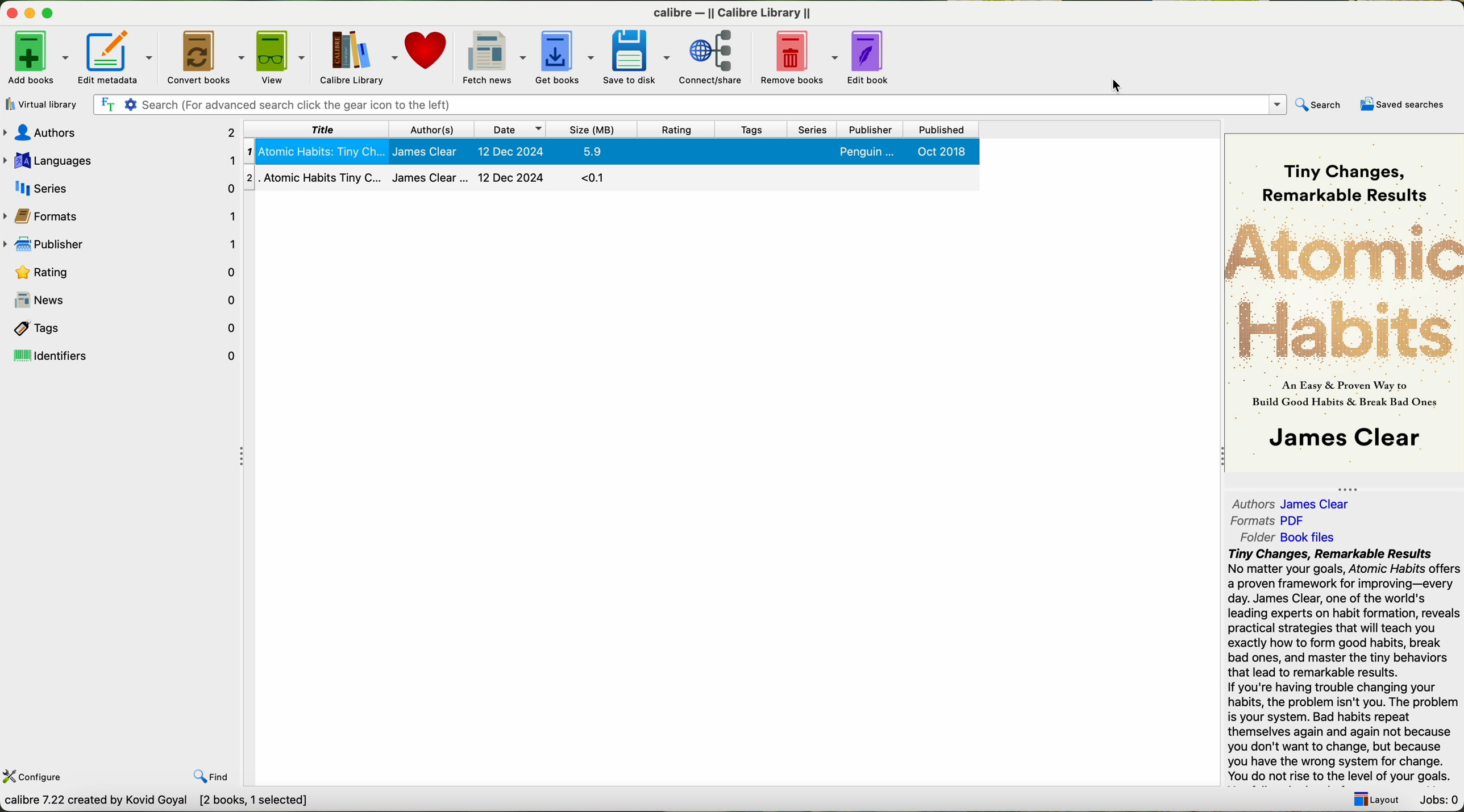 Image resolution: width=1464 pixels, height=812 pixels. I want to click on date, so click(500, 127).